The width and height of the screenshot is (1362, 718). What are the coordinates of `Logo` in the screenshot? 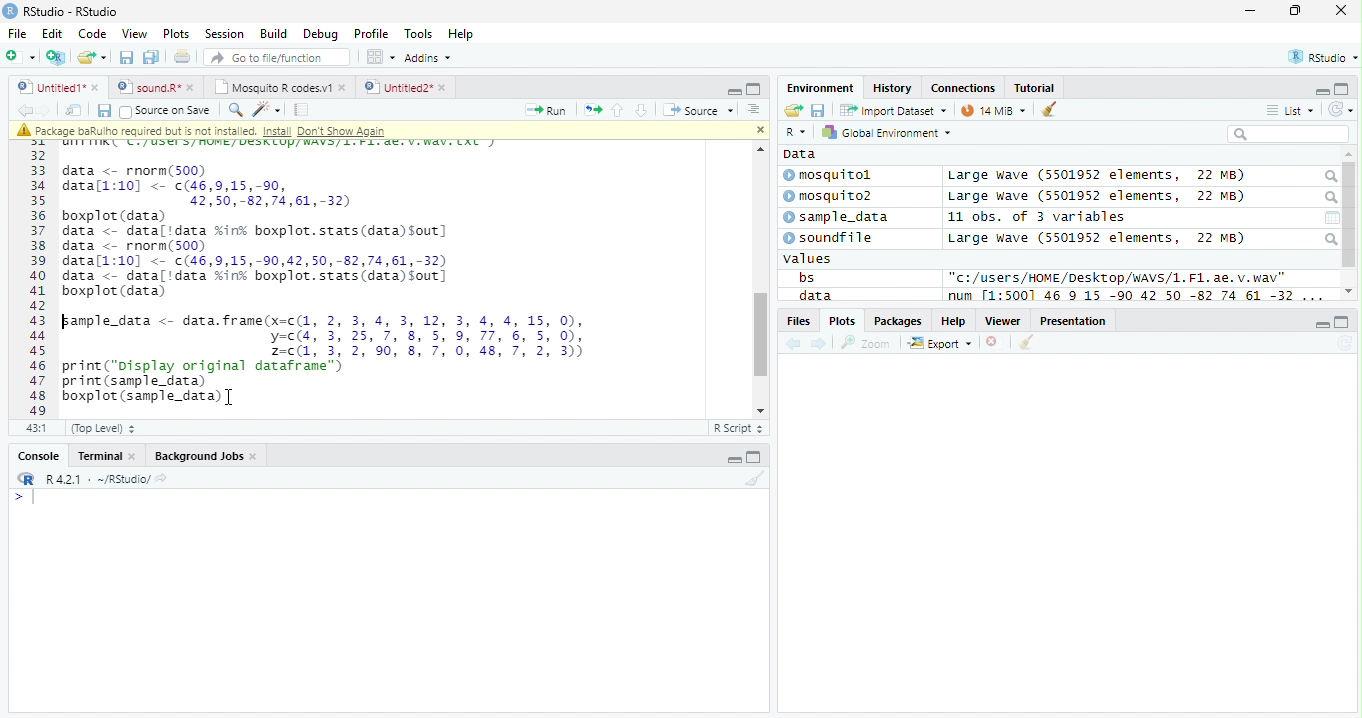 It's located at (11, 11).